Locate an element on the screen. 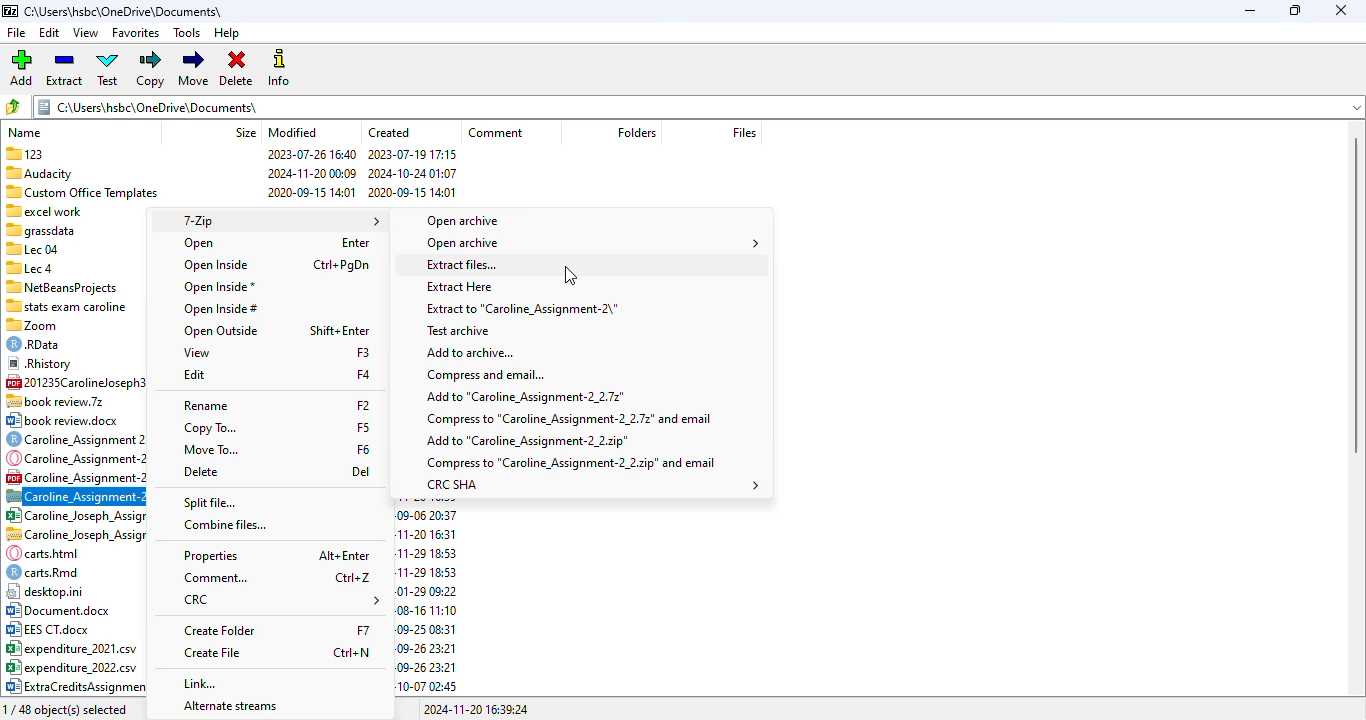 This screenshot has height=720, width=1366. extract files is located at coordinates (463, 265).